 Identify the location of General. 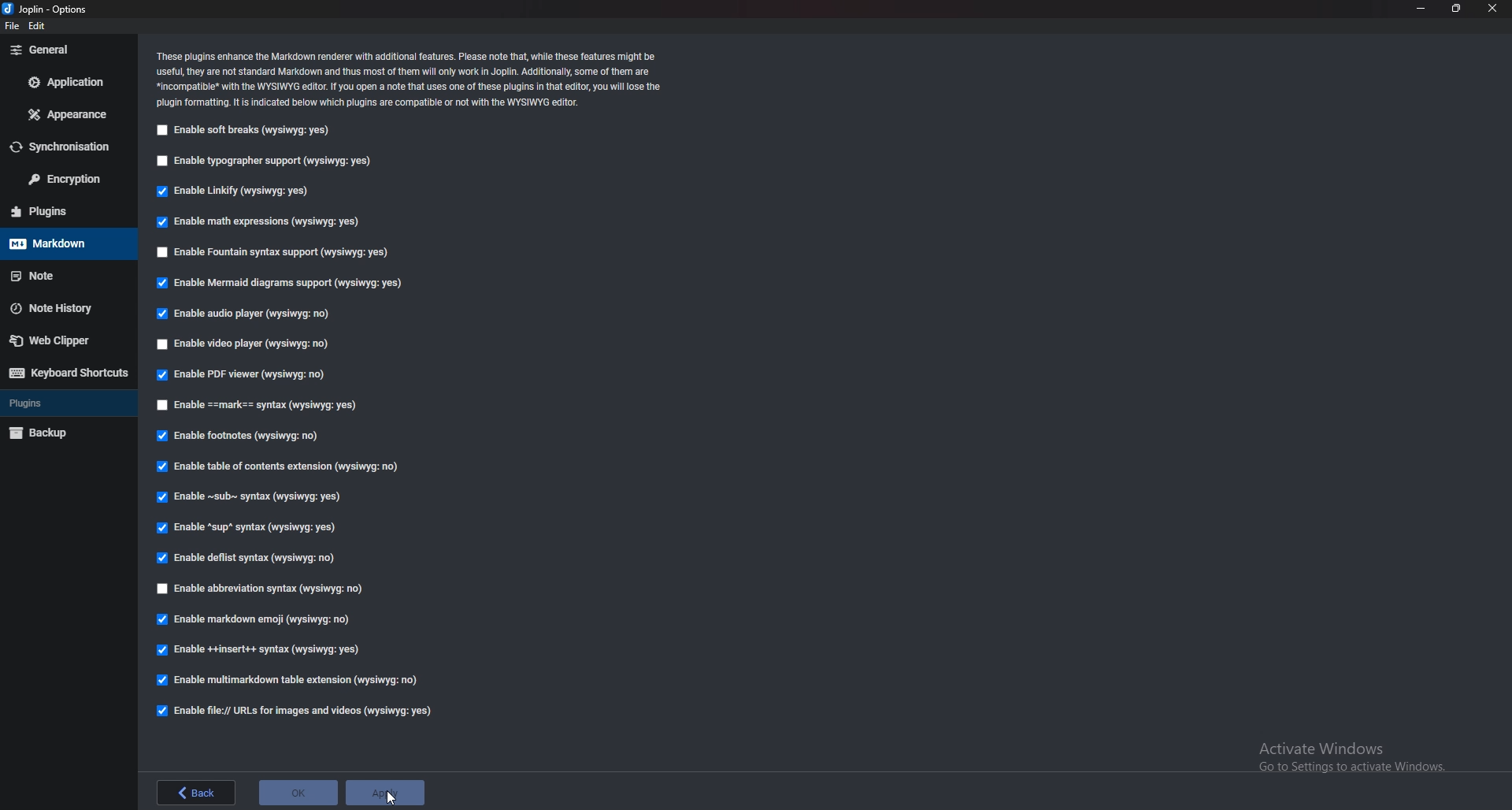
(63, 50).